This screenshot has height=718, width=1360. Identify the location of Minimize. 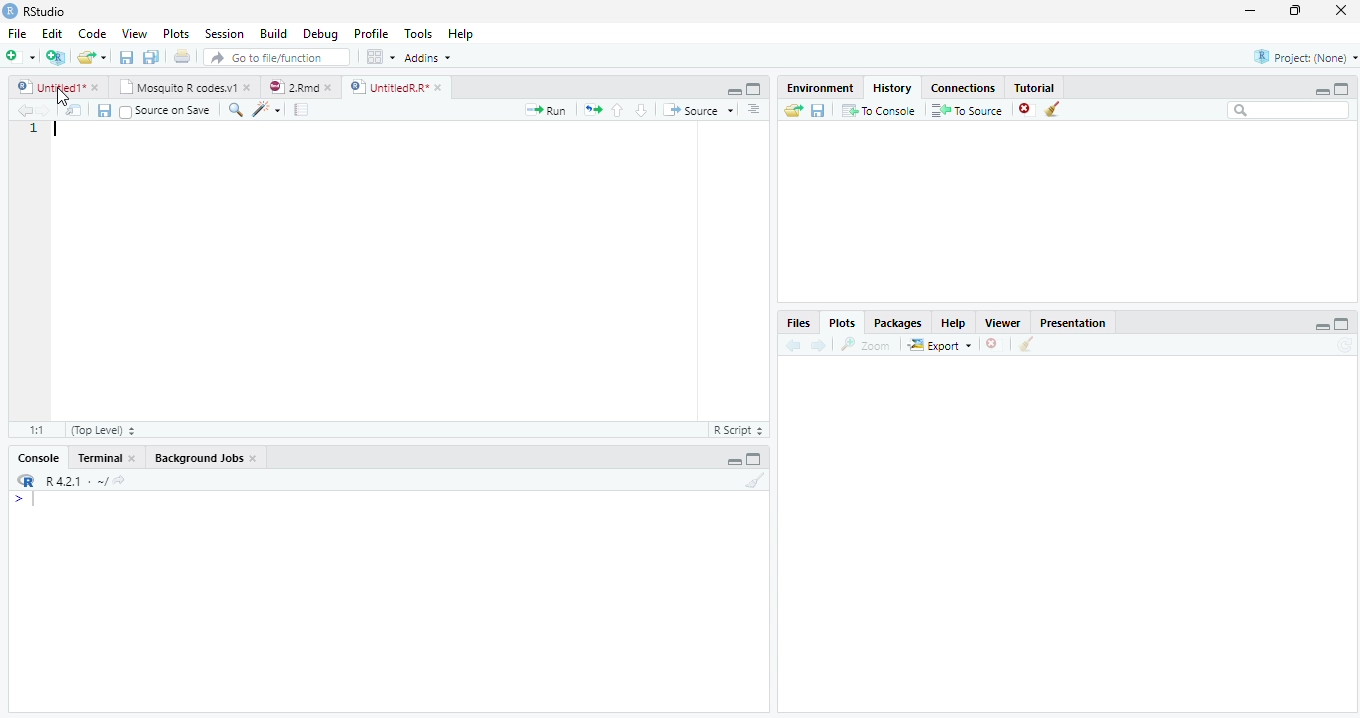
(731, 90).